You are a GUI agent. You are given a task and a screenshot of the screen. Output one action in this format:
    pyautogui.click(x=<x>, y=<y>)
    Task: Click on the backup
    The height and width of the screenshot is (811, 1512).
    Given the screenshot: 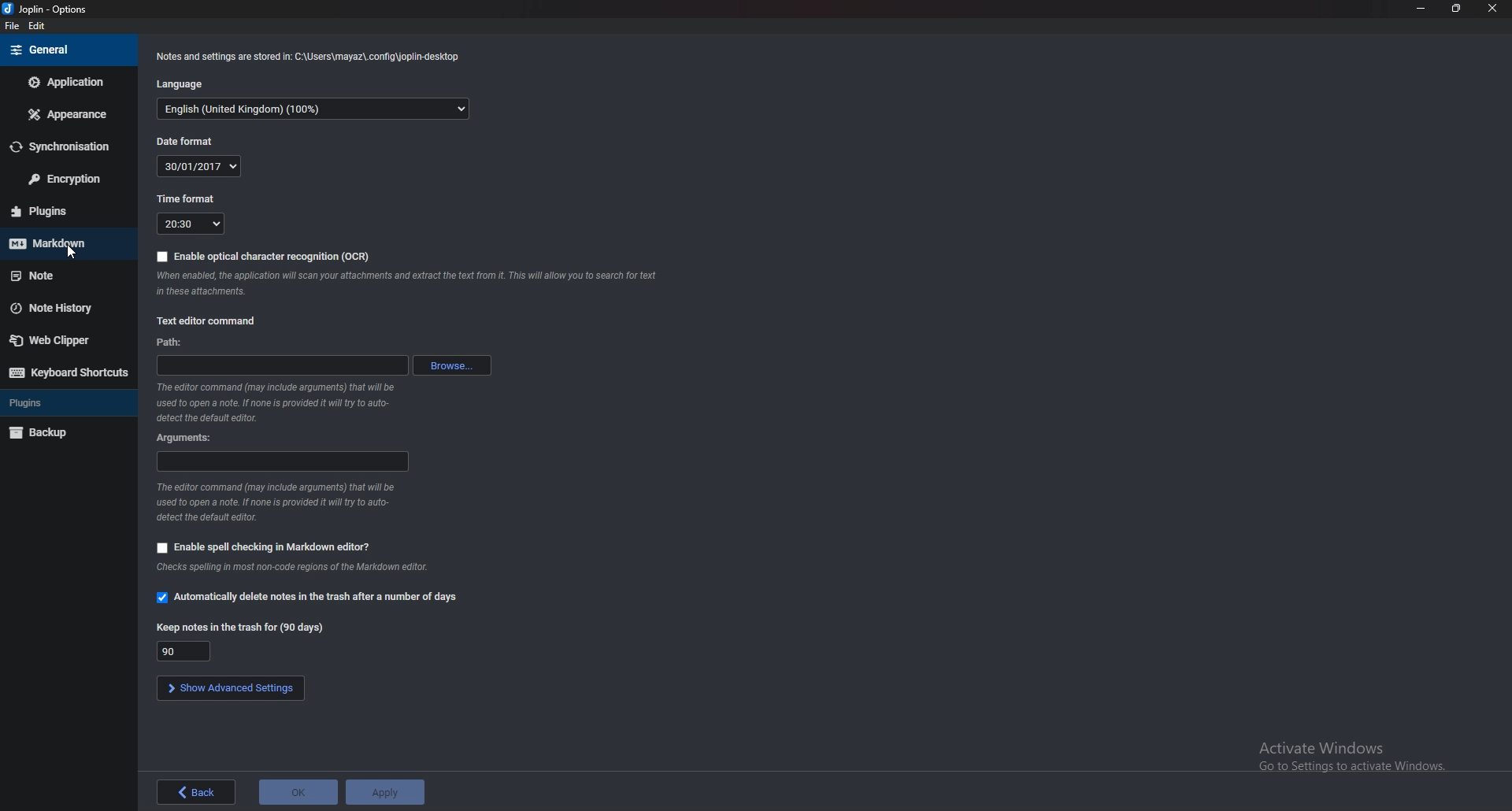 What is the action you would take?
    pyautogui.click(x=62, y=433)
    